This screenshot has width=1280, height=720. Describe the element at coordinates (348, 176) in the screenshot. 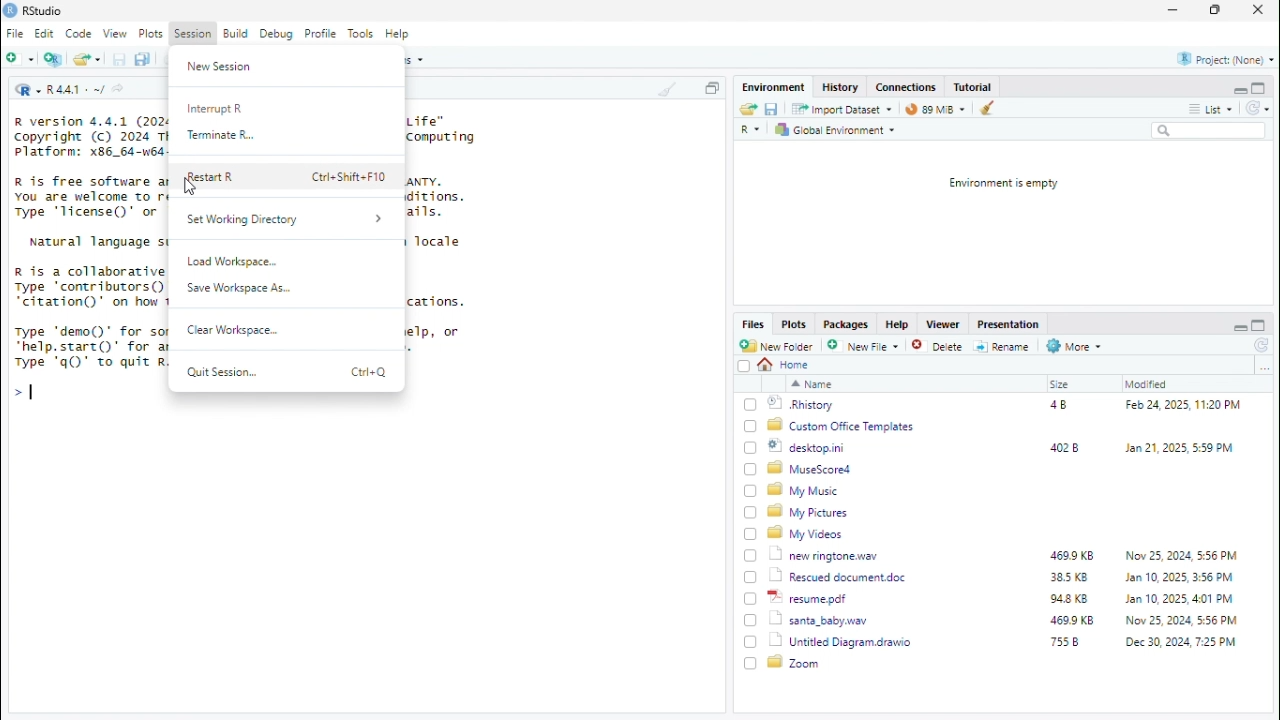

I see `Ctrl+Shift+F10` at that location.